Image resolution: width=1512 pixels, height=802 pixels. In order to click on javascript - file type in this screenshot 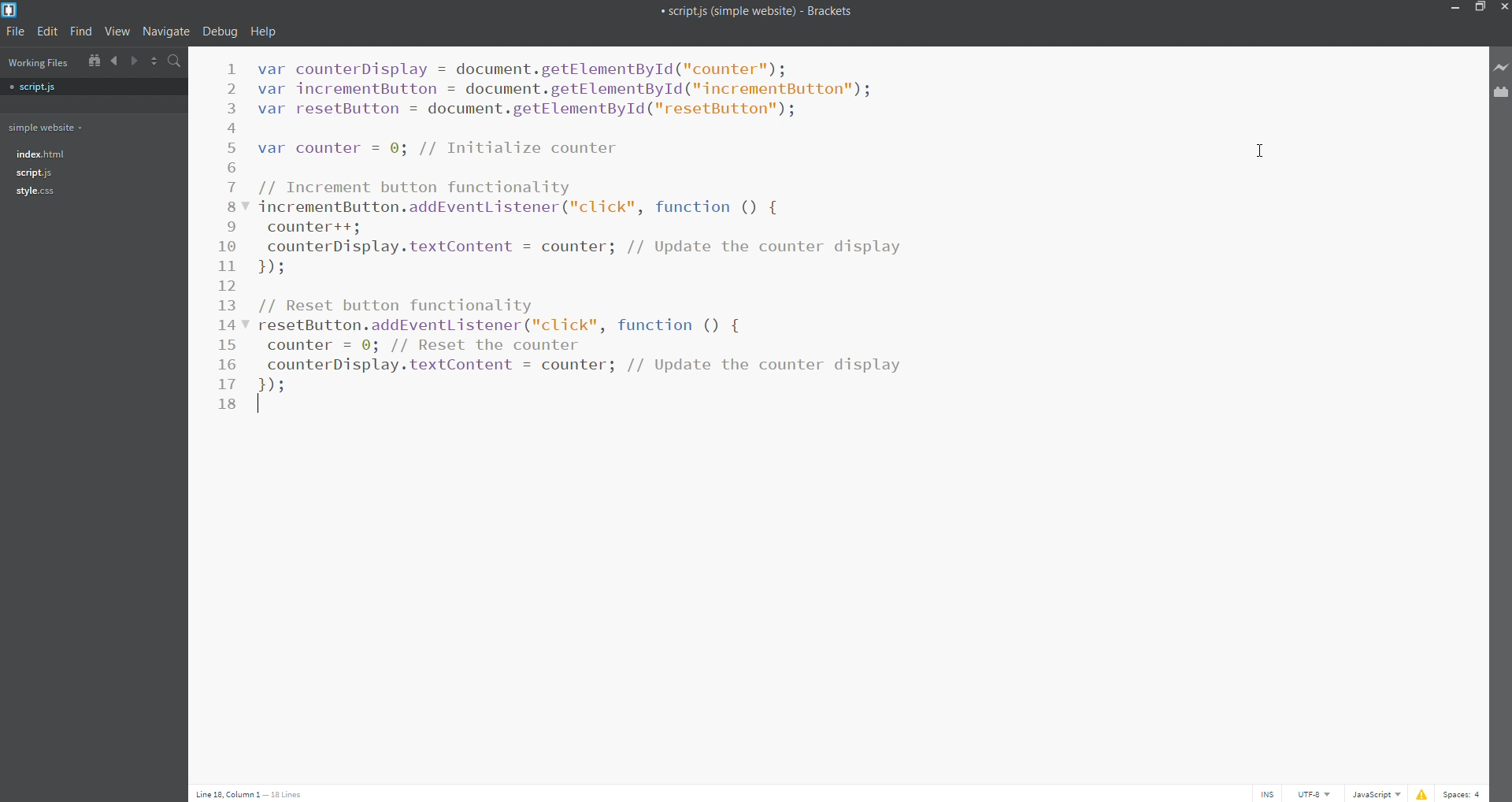, I will do `click(1377, 795)`.